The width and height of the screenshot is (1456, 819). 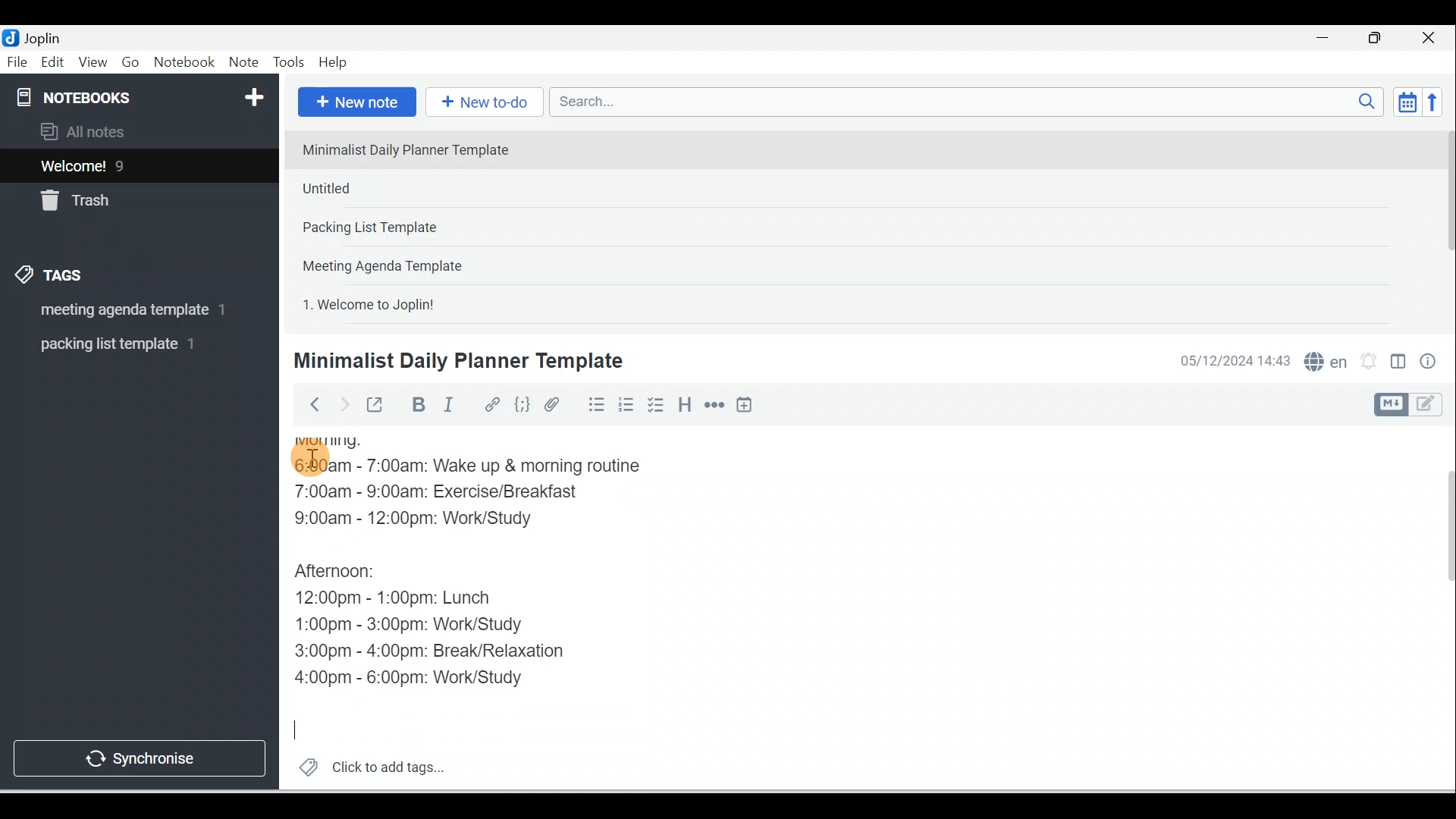 What do you see at coordinates (1232, 361) in the screenshot?
I see `Date & time` at bounding box center [1232, 361].